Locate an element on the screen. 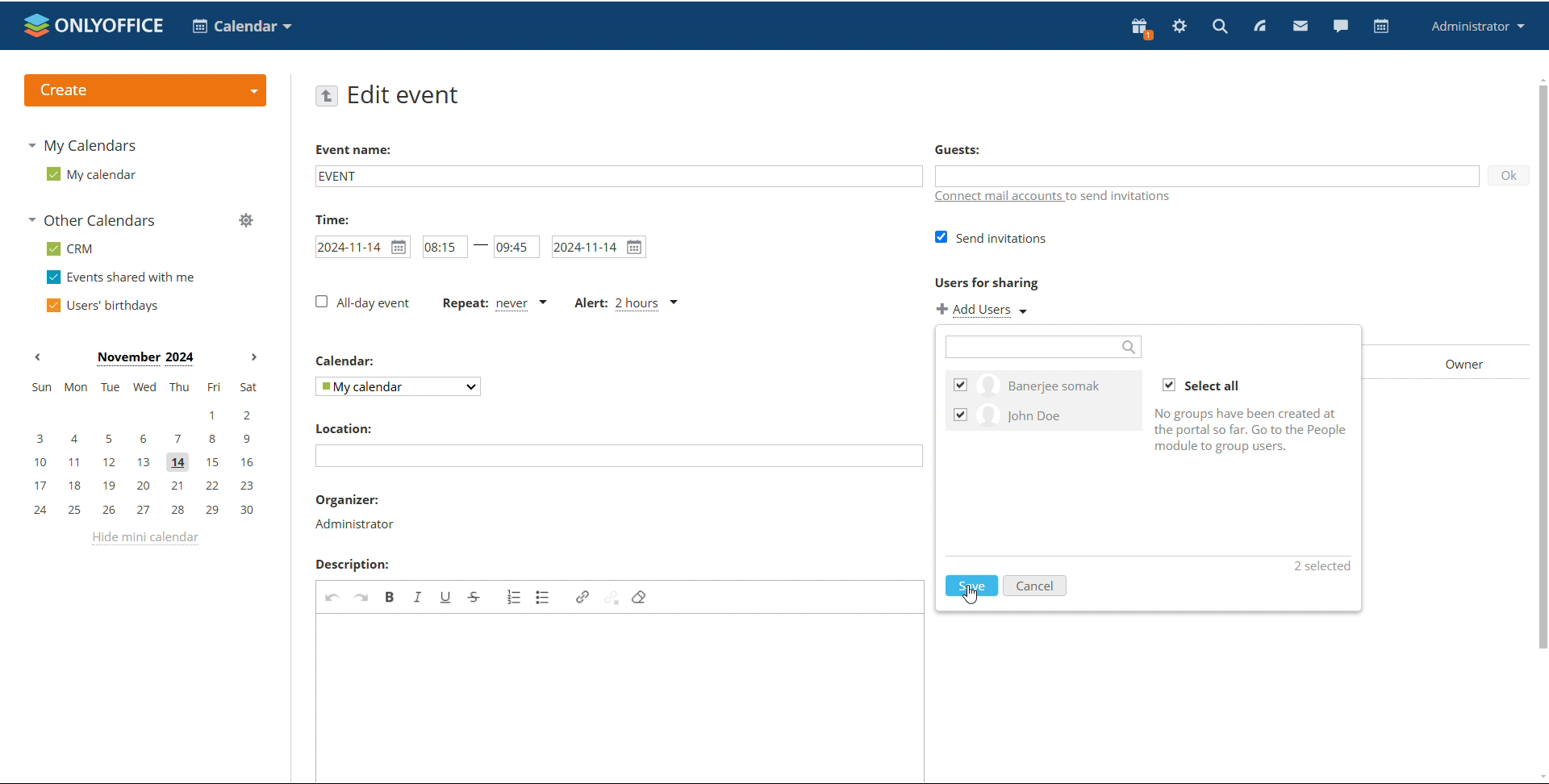  chat is located at coordinates (1340, 25).